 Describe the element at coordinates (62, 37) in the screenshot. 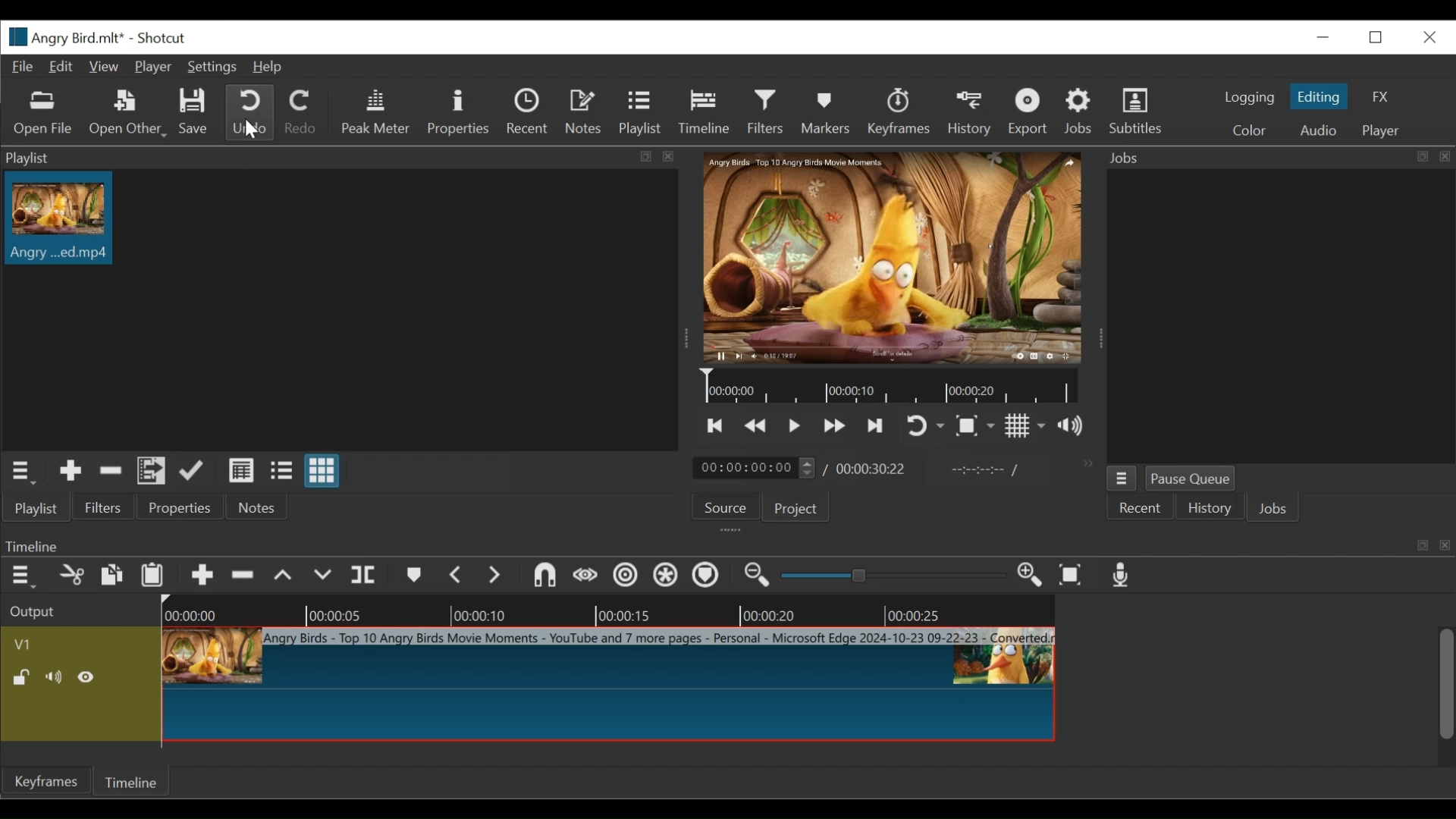

I see `File name` at that location.